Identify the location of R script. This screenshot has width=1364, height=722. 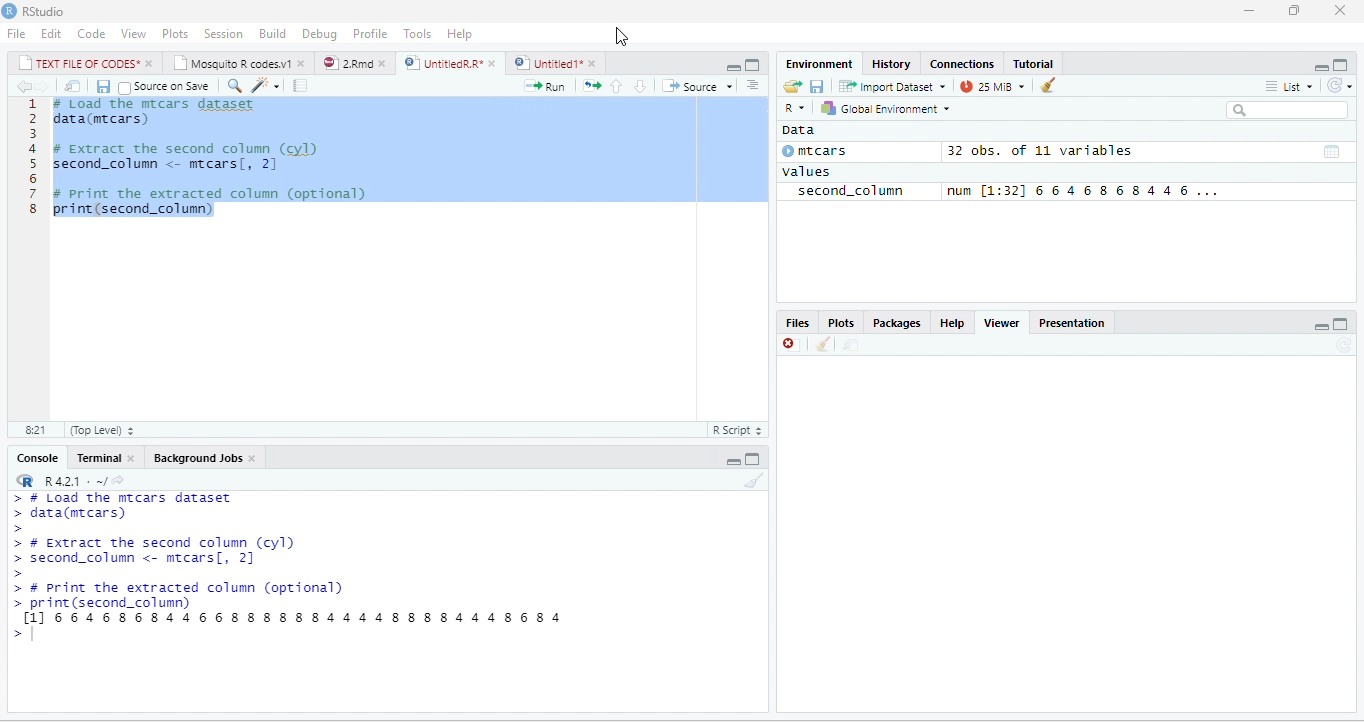
(737, 431).